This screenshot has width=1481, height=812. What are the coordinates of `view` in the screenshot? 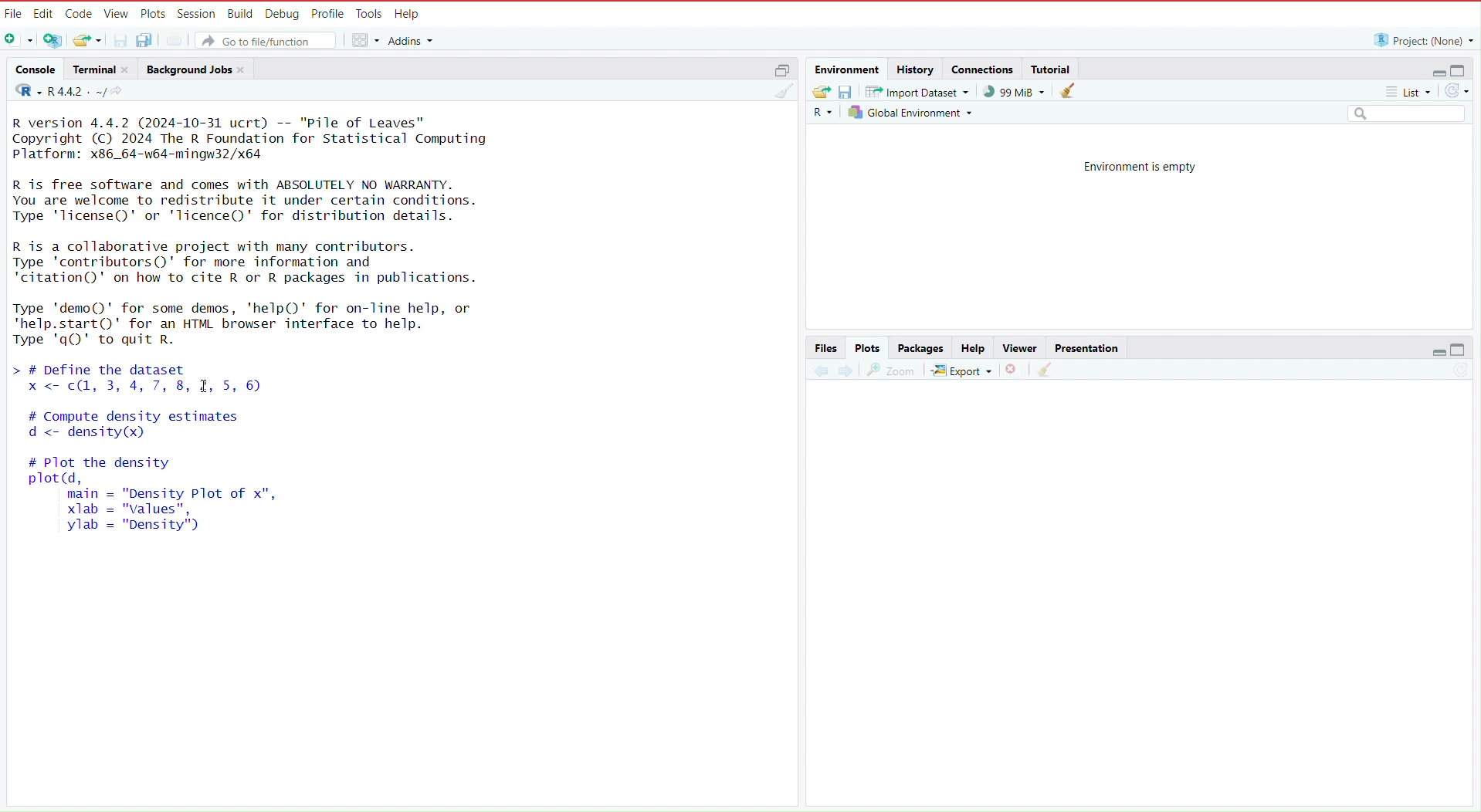 It's located at (117, 12).